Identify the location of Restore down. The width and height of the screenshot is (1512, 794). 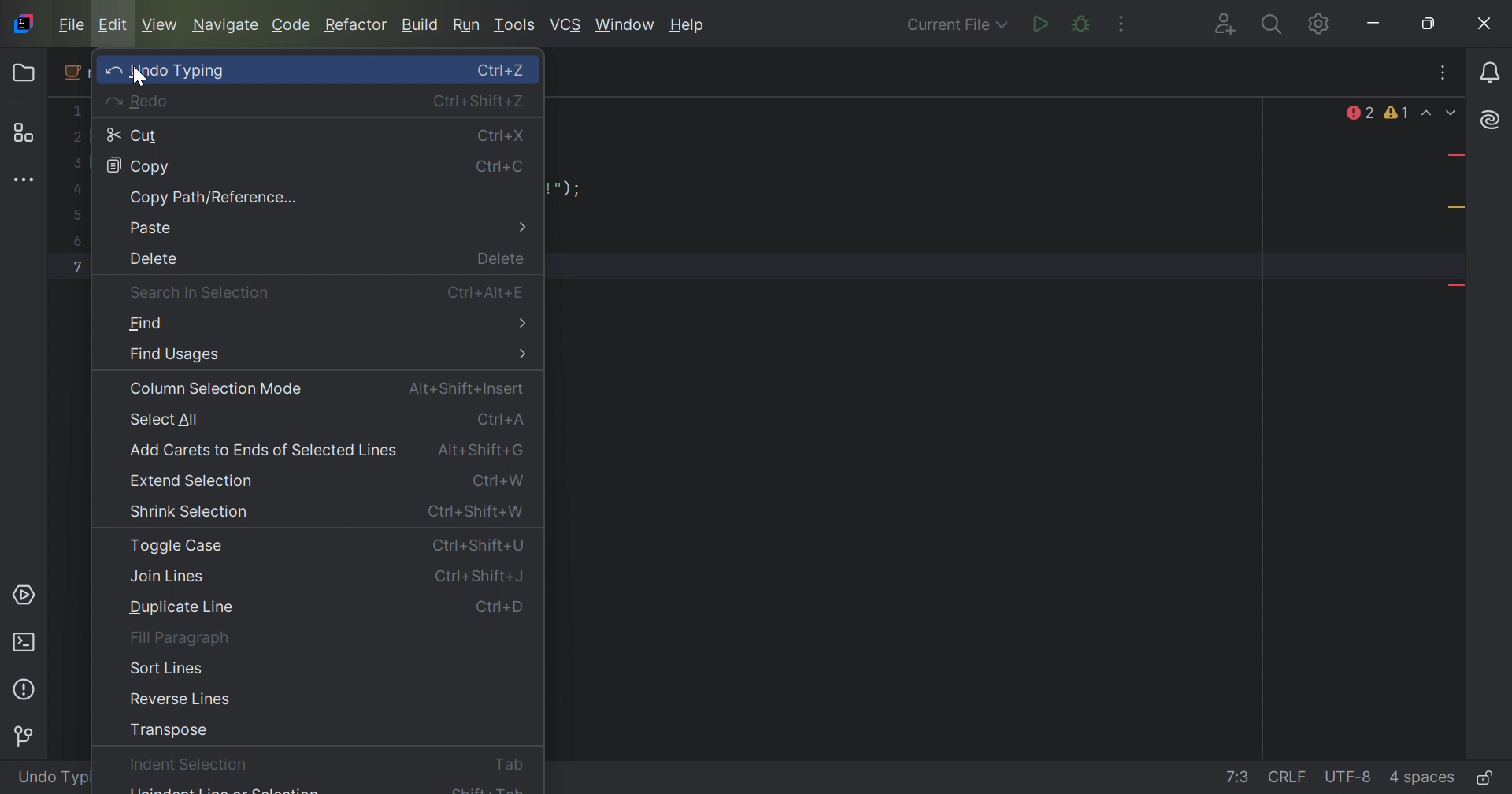
(1430, 24).